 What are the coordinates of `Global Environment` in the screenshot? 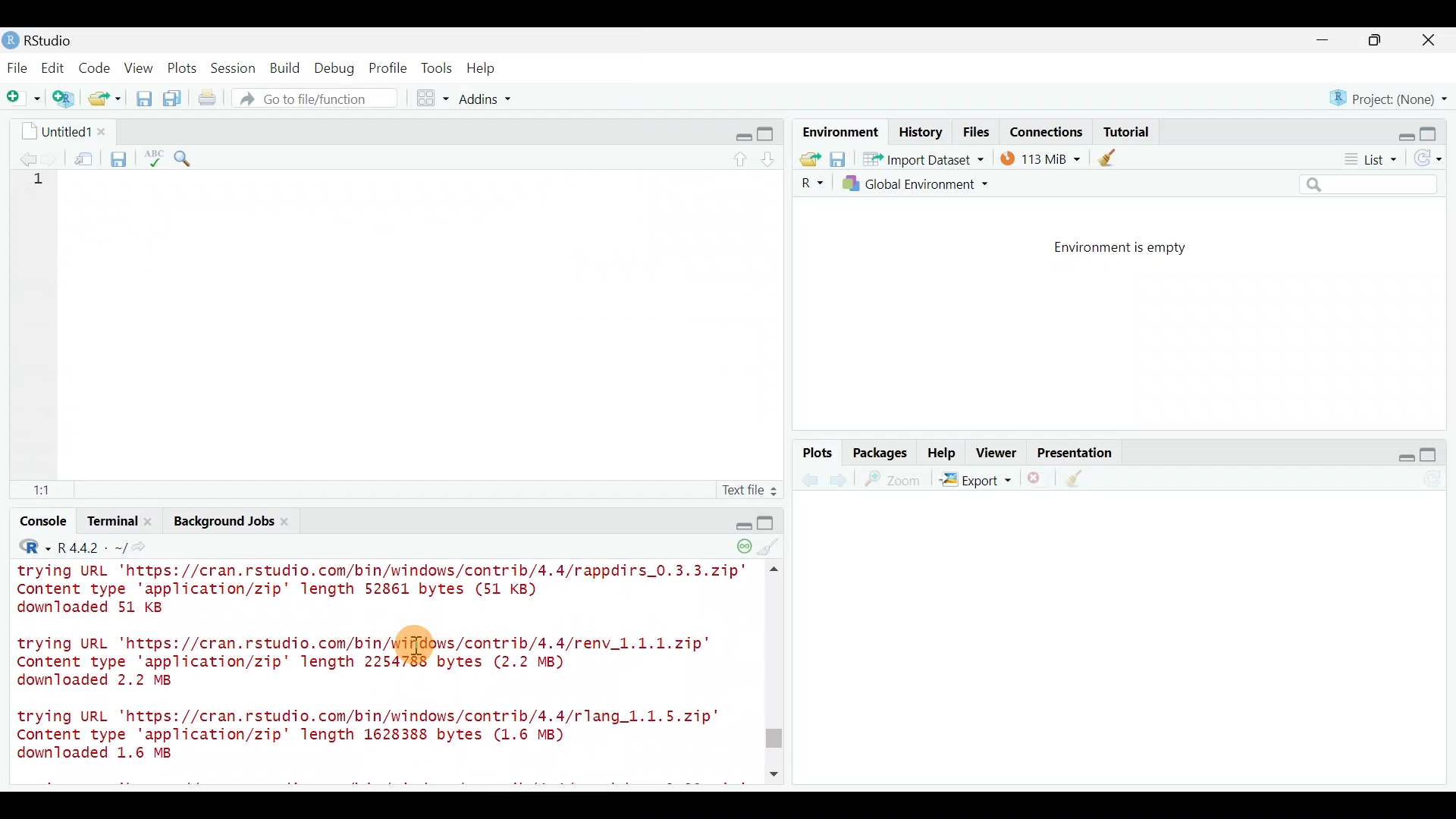 It's located at (927, 184).